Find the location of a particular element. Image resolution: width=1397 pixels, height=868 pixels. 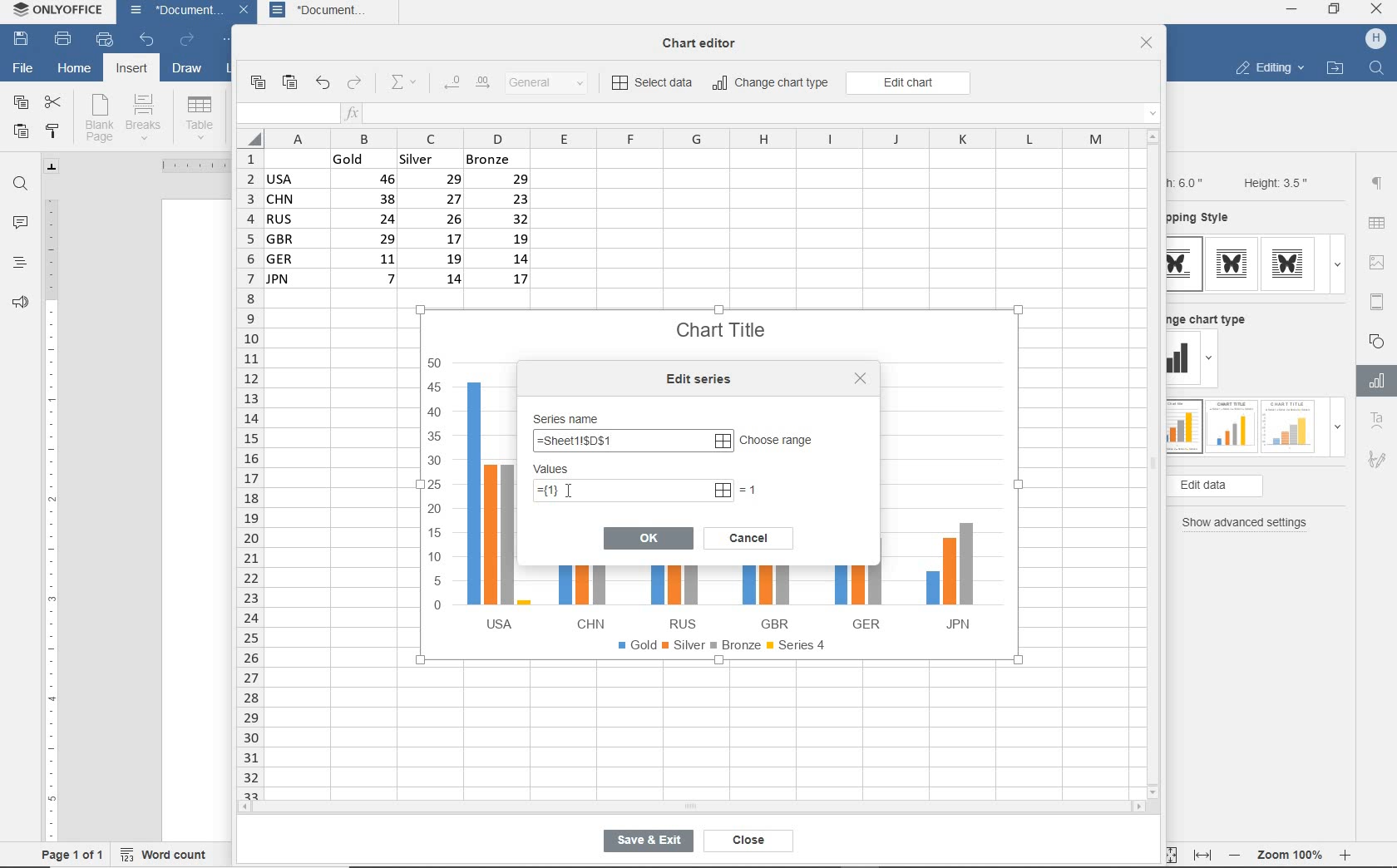

lose is located at coordinates (860, 378).